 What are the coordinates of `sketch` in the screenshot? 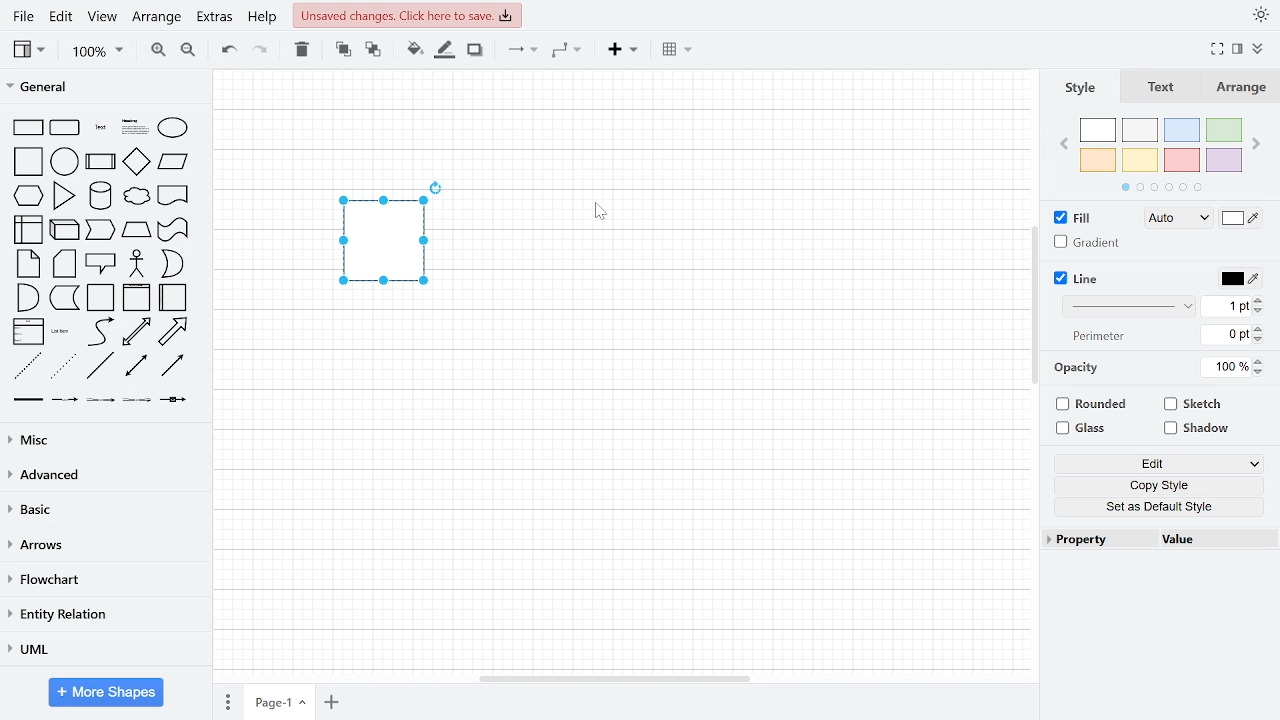 It's located at (1194, 406).